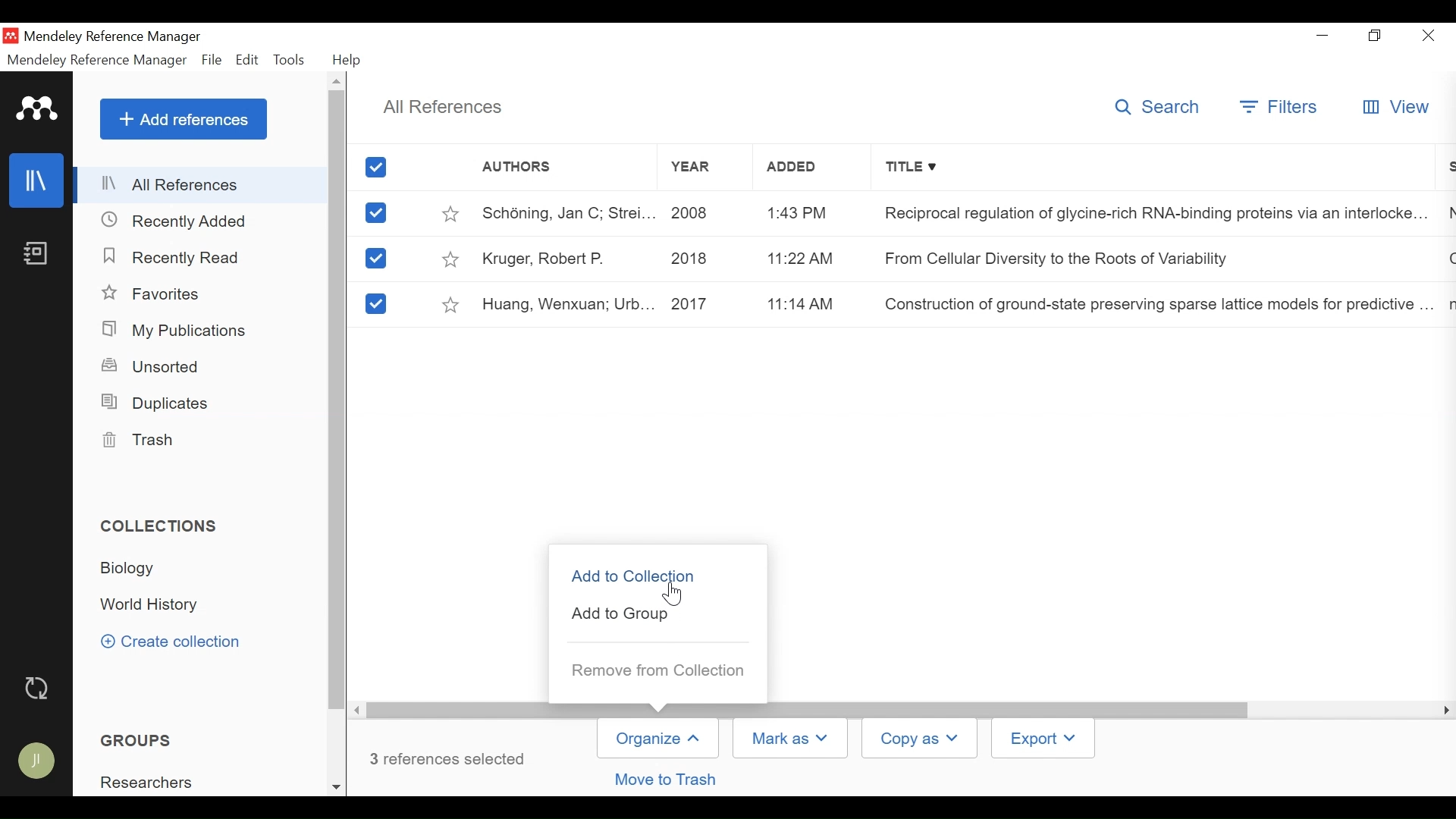  I want to click on Journal title, so click(1149, 212).